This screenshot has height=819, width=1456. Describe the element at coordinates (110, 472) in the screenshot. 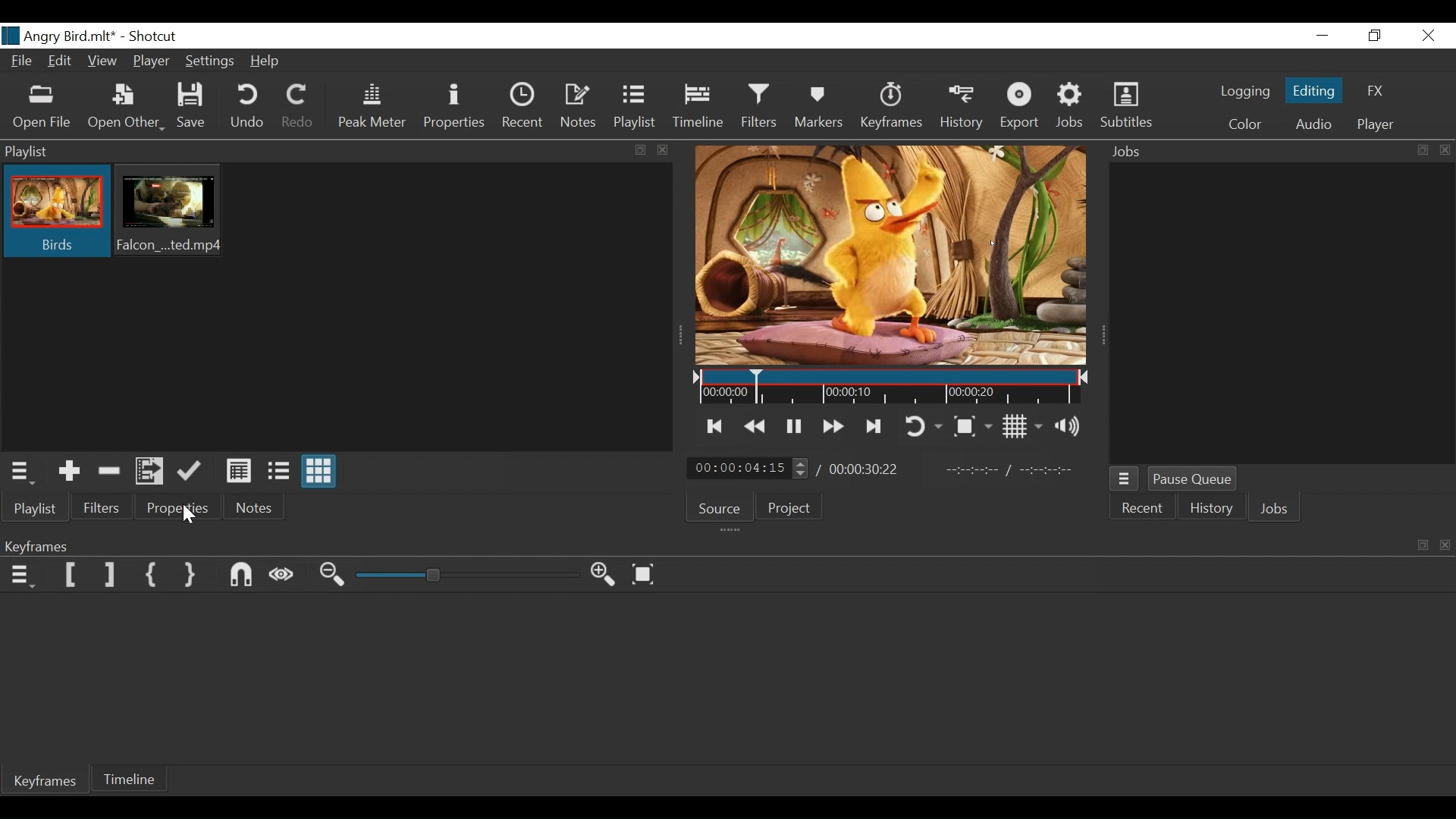

I see `Remove cut` at that location.